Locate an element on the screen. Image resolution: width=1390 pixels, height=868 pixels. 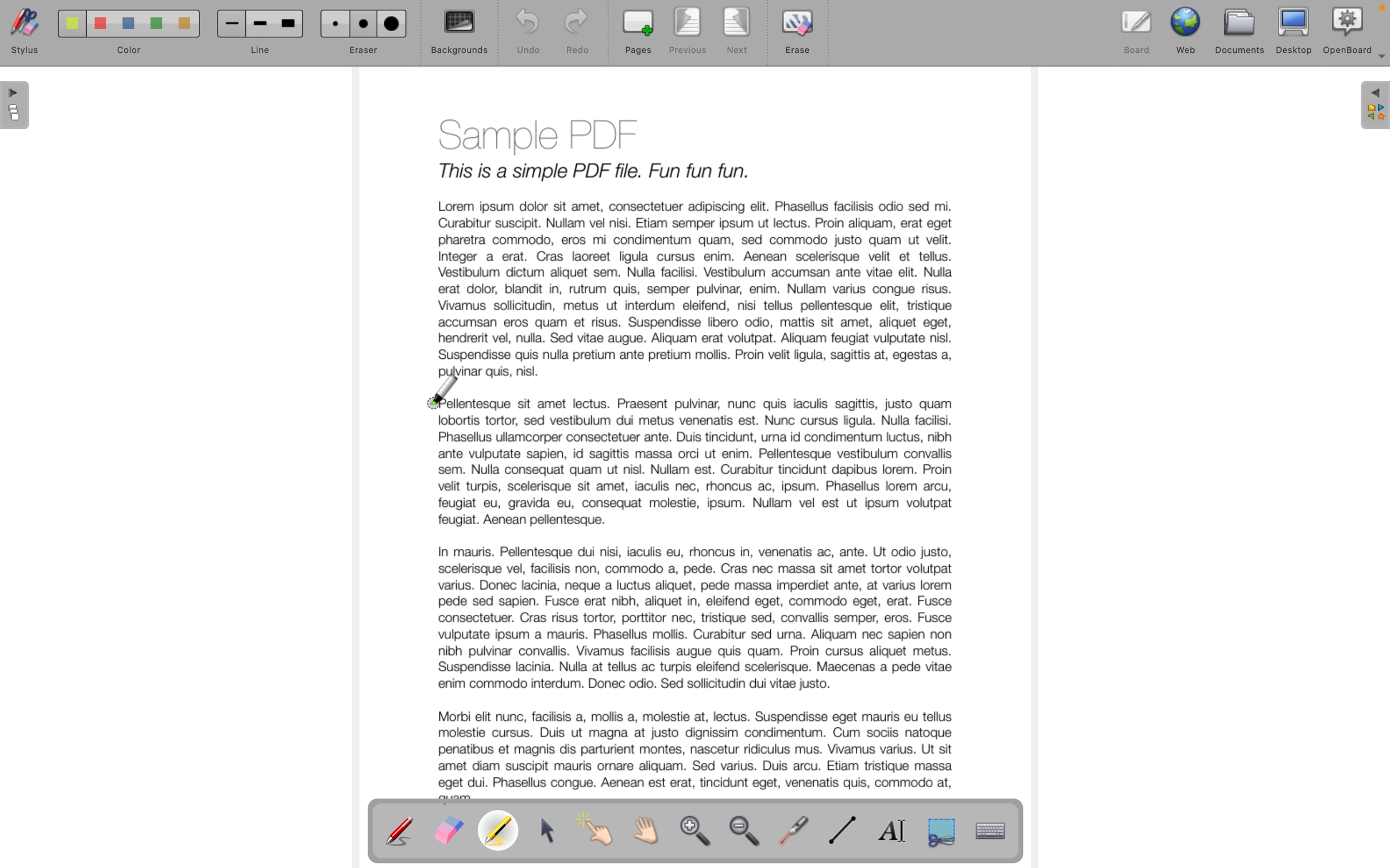
eraser is located at coordinates (448, 831).